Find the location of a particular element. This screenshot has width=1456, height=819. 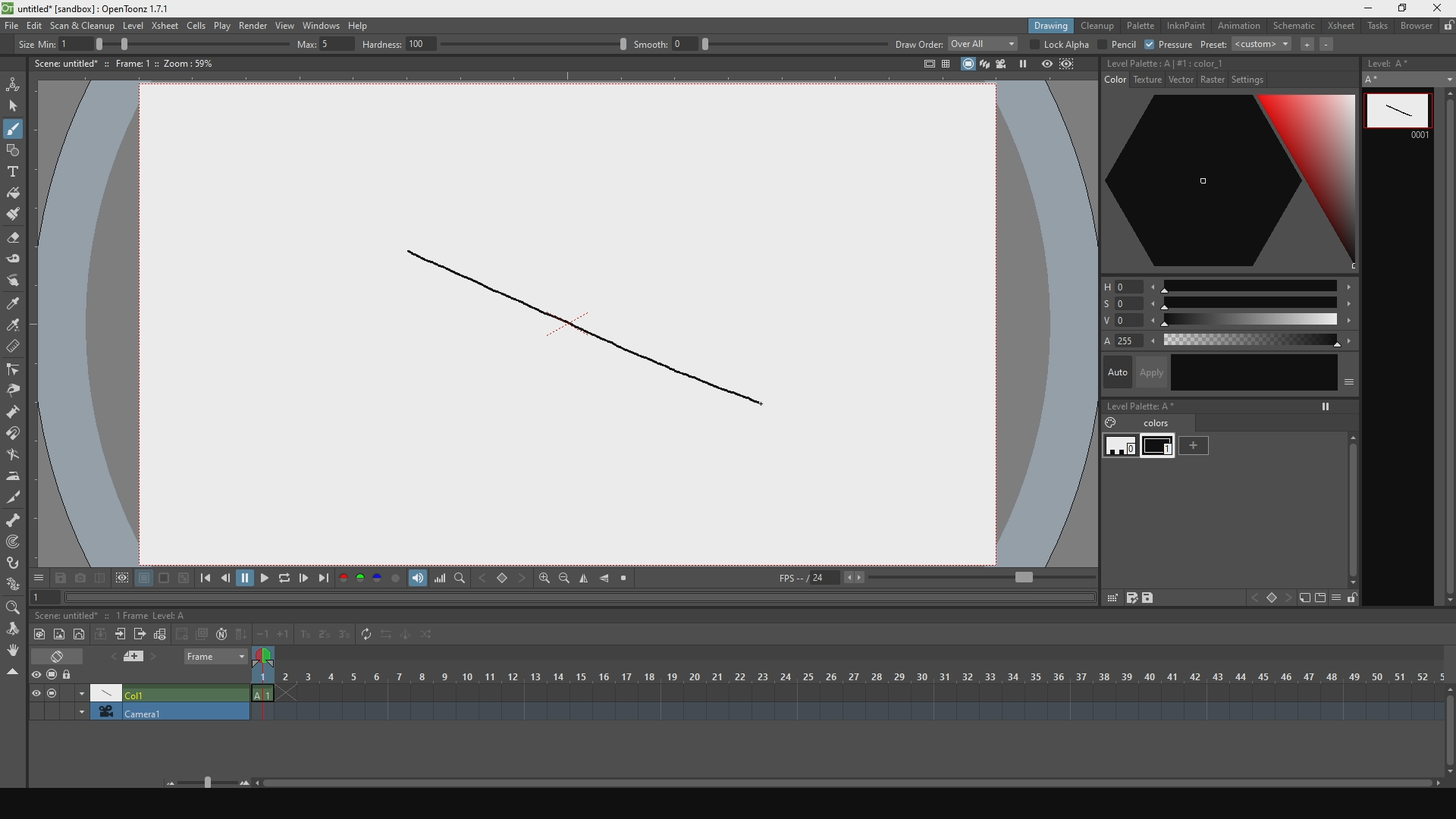

panels is located at coordinates (946, 66).